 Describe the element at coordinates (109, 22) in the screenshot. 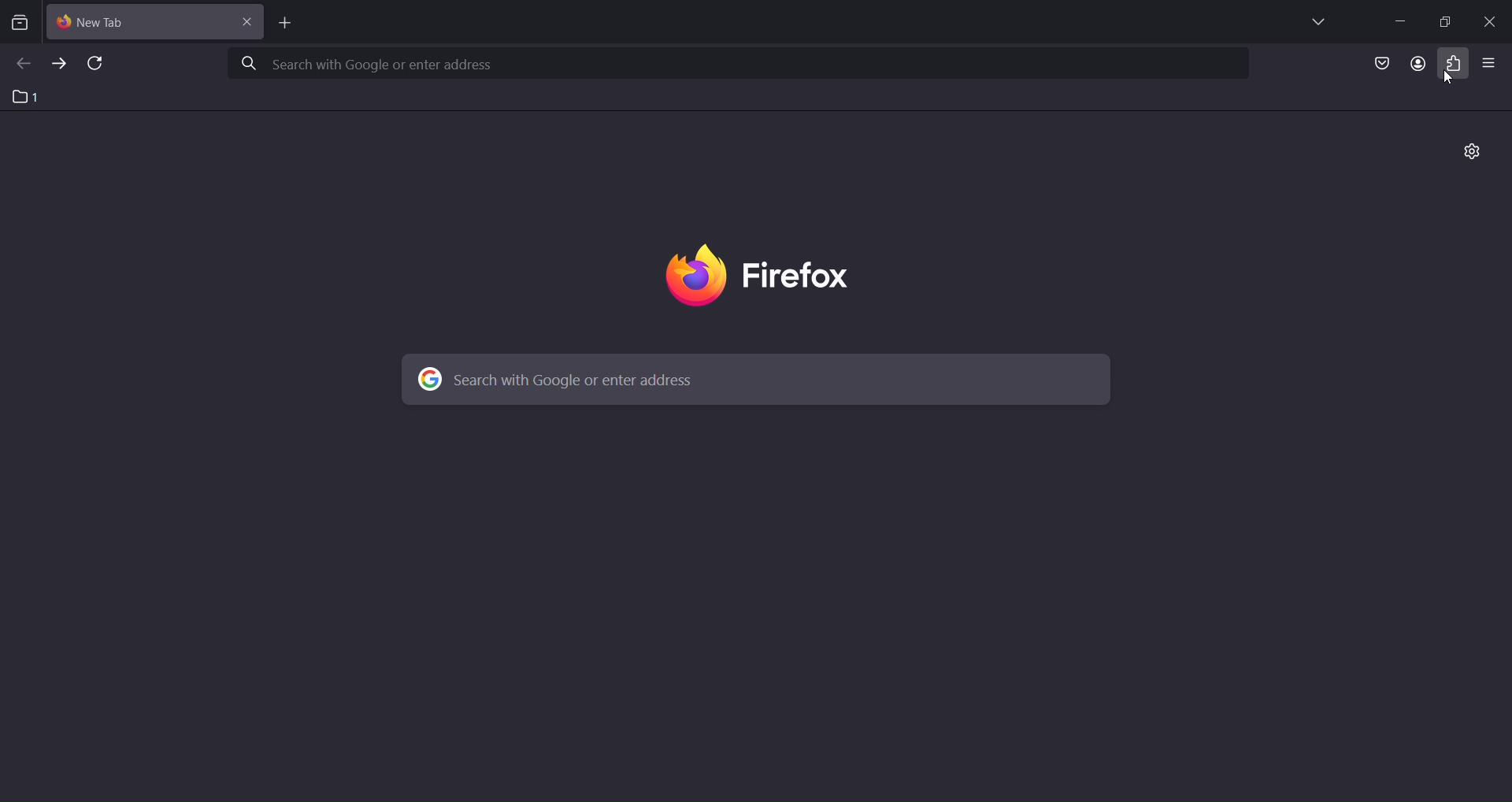

I see `current tab` at that location.